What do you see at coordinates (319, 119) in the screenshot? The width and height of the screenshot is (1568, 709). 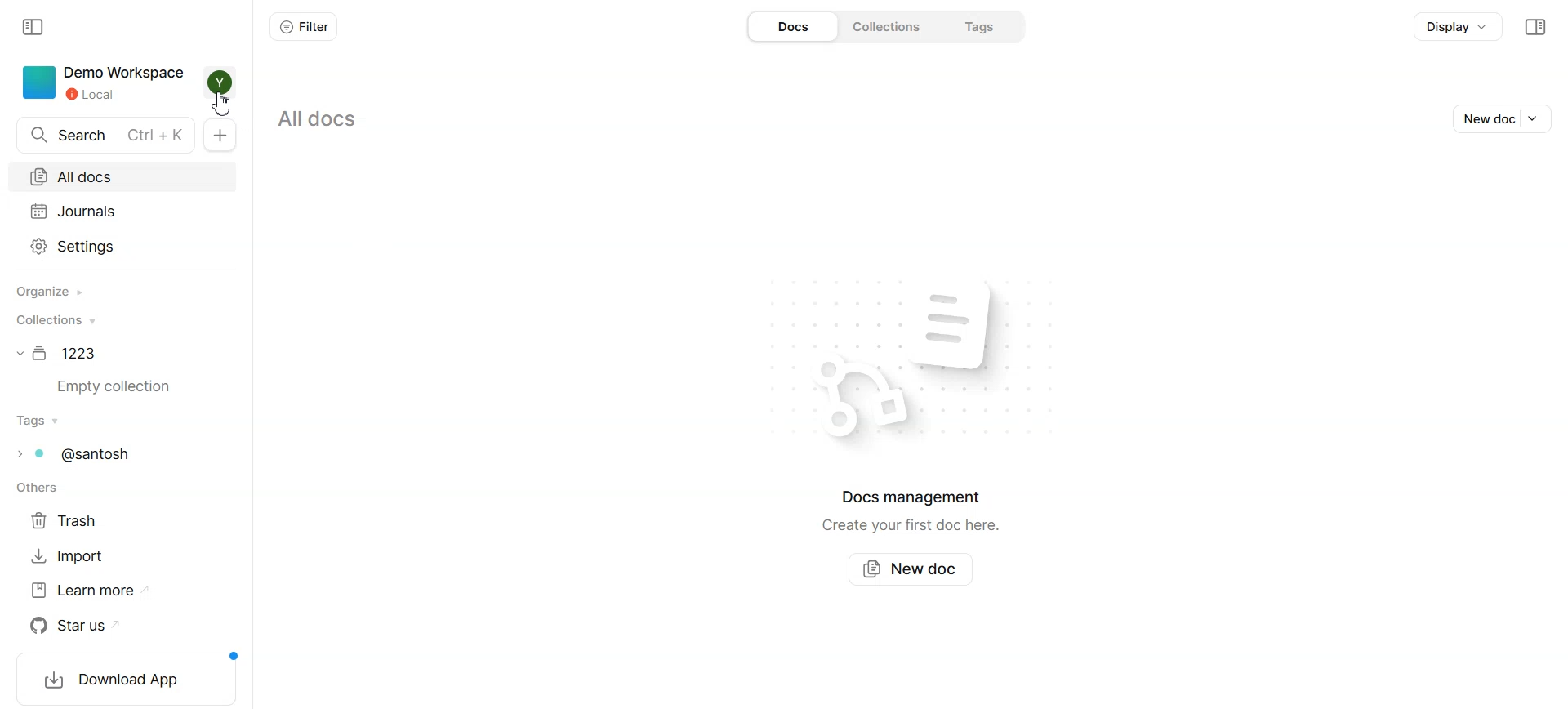 I see `all docs` at bounding box center [319, 119].